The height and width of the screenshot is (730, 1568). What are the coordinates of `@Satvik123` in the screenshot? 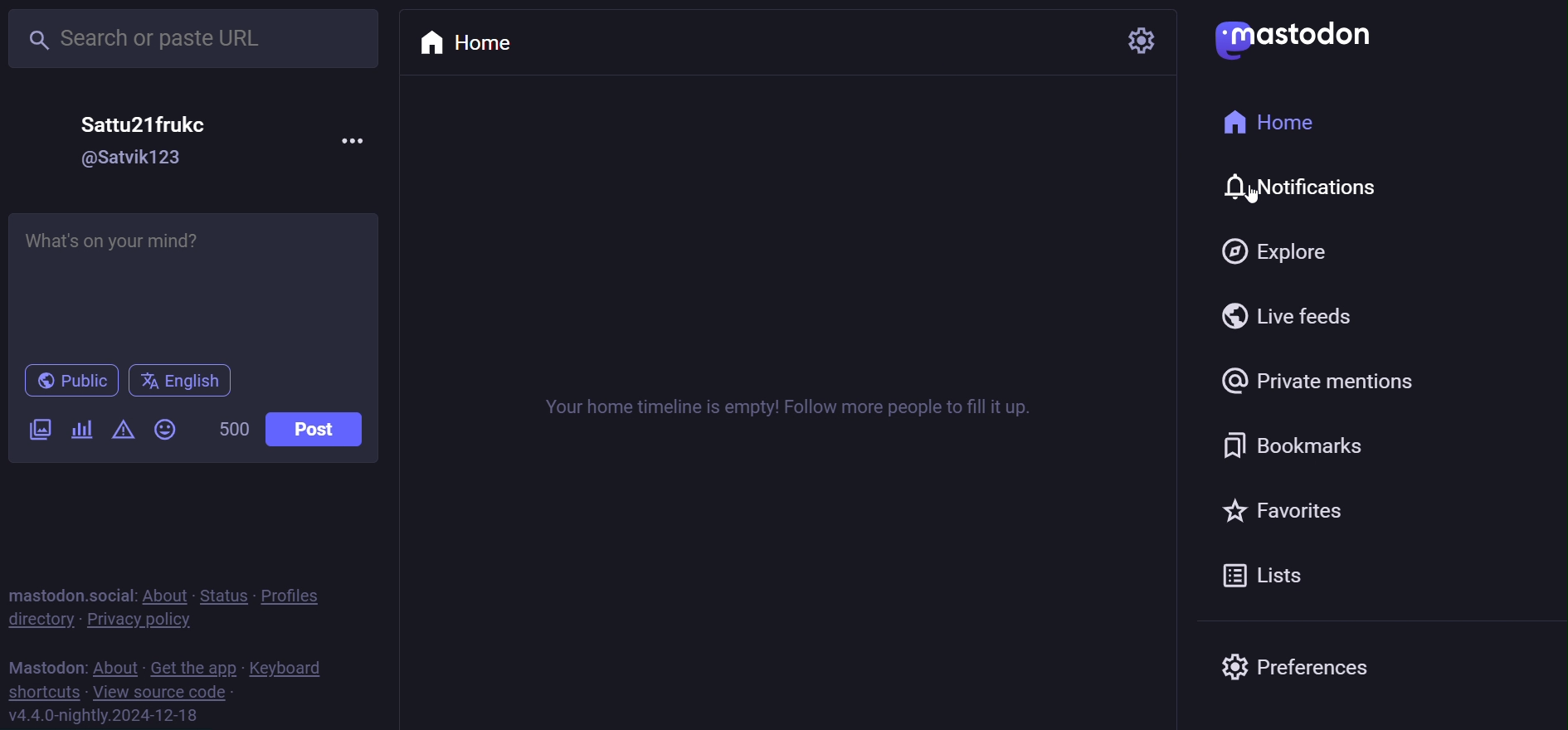 It's located at (131, 157).